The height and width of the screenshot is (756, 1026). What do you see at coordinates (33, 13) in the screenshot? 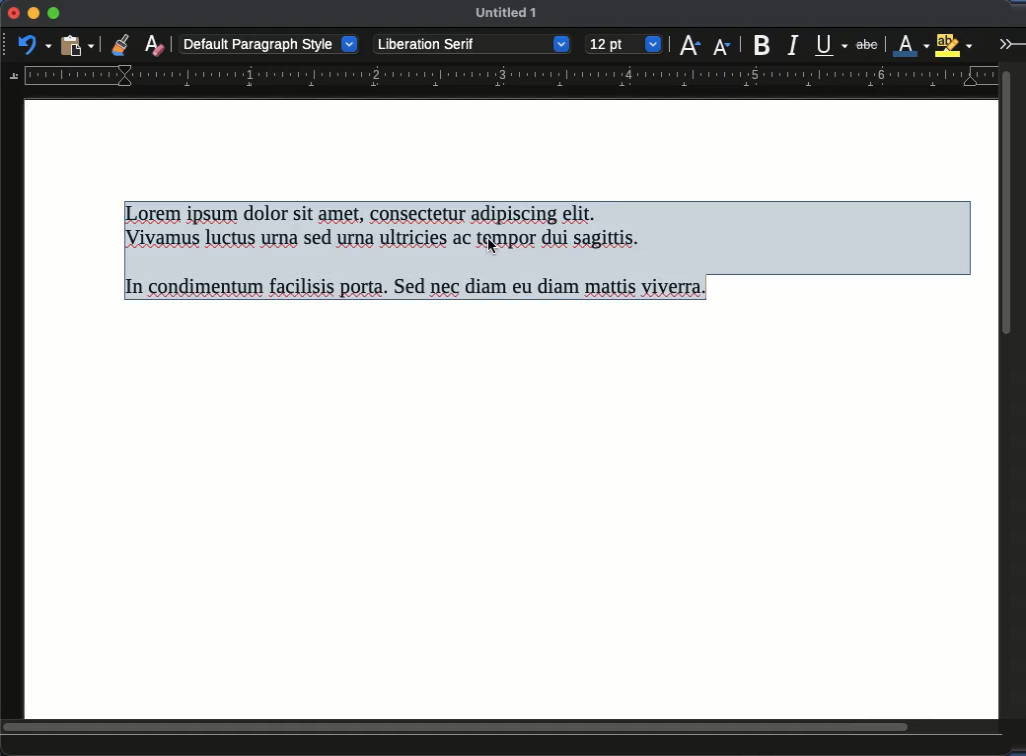
I see `minimize` at bounding box center [33, 13].